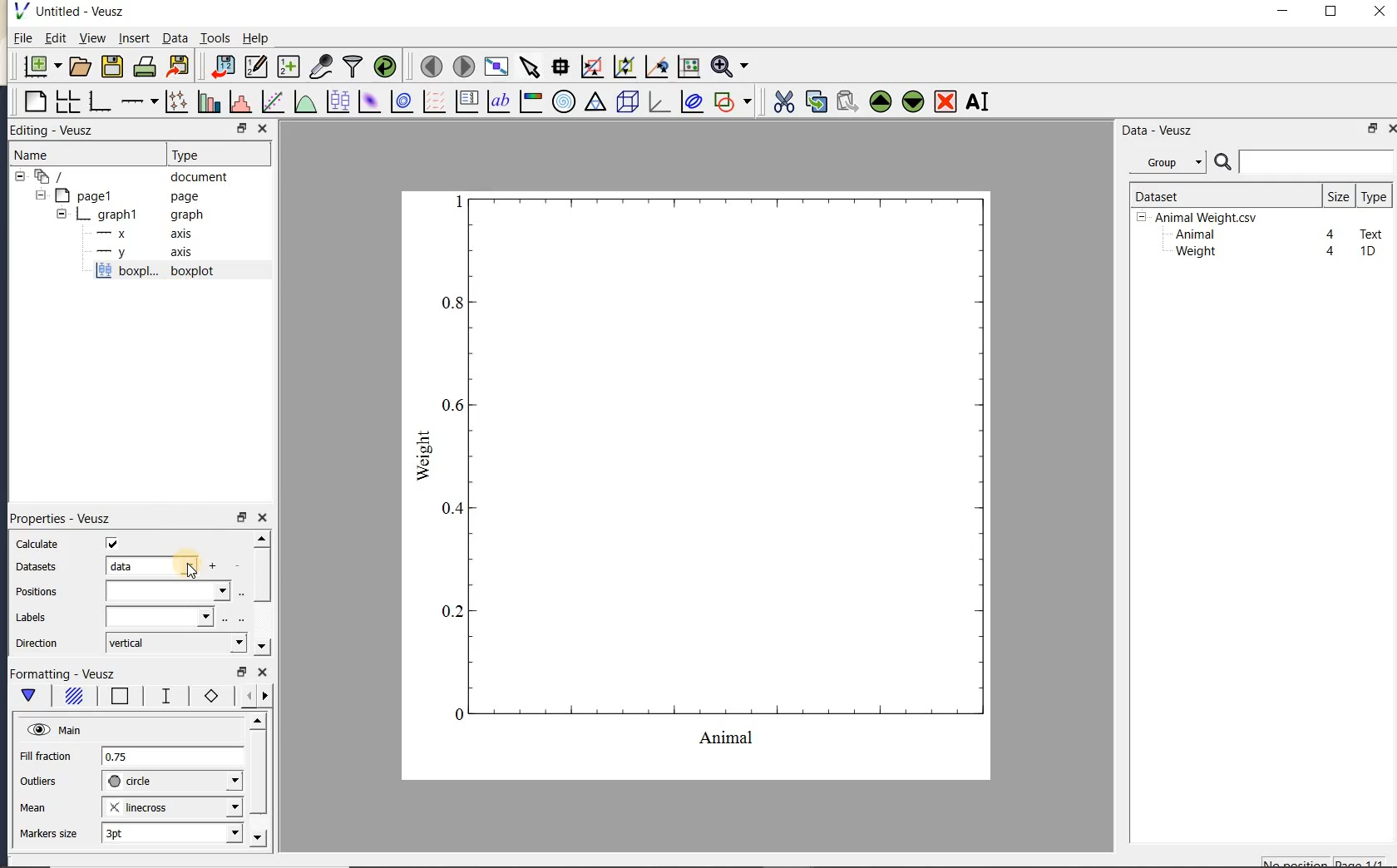  What do you see at coordinates (353, 65) in the screenshot?
I see `filter data` at bounding box center [353, 65].